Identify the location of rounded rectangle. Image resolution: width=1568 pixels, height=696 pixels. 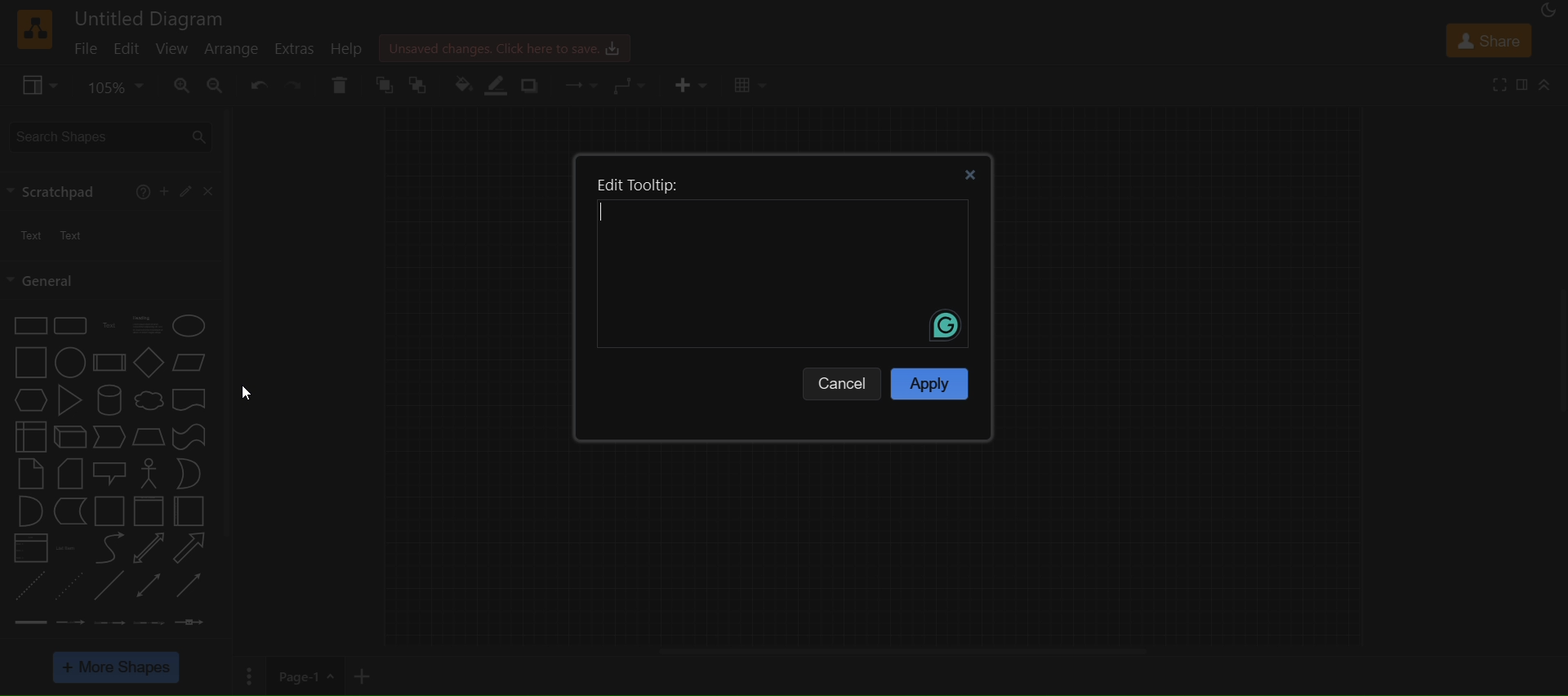
(69, 324).